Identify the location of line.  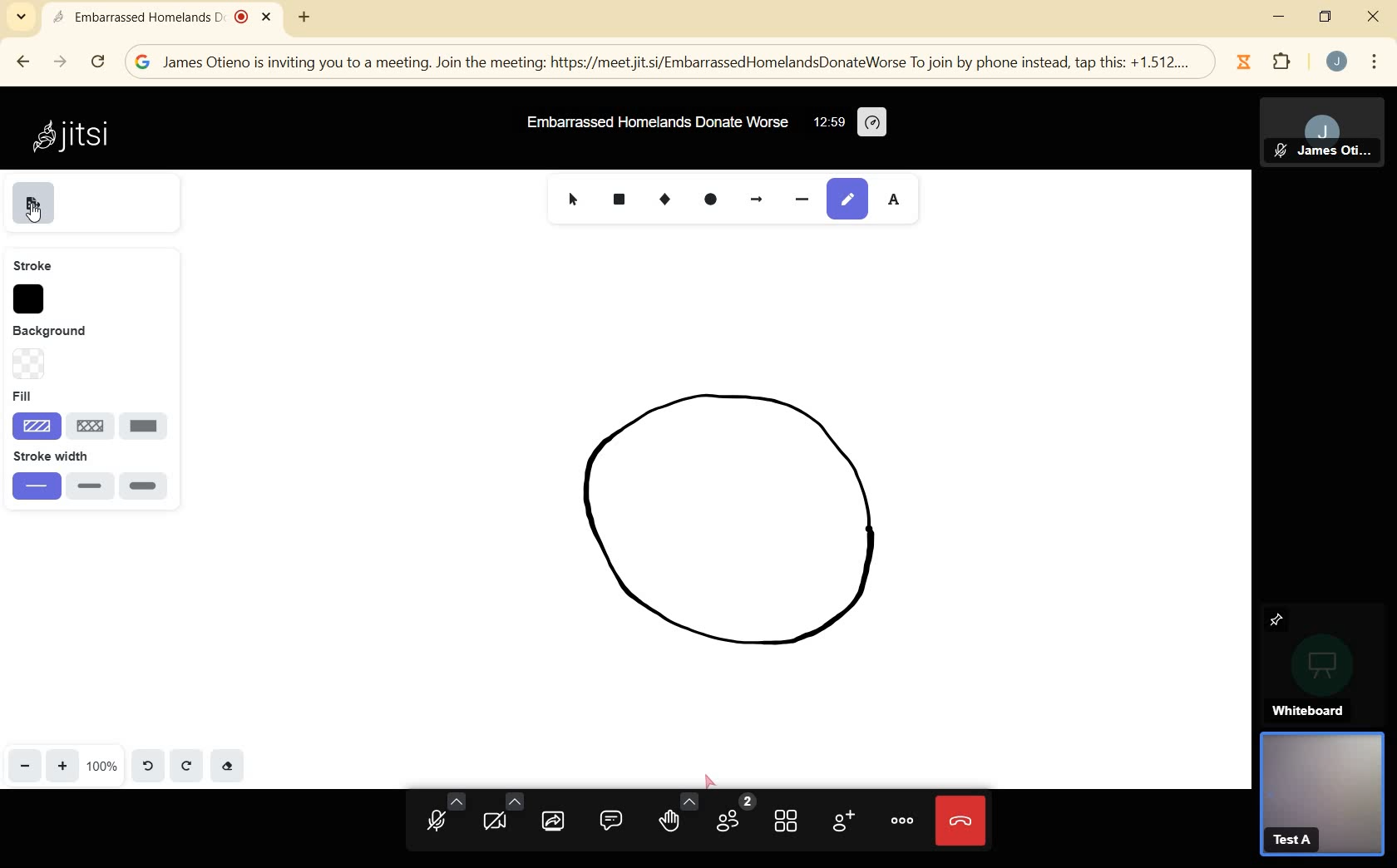
(92, 426).